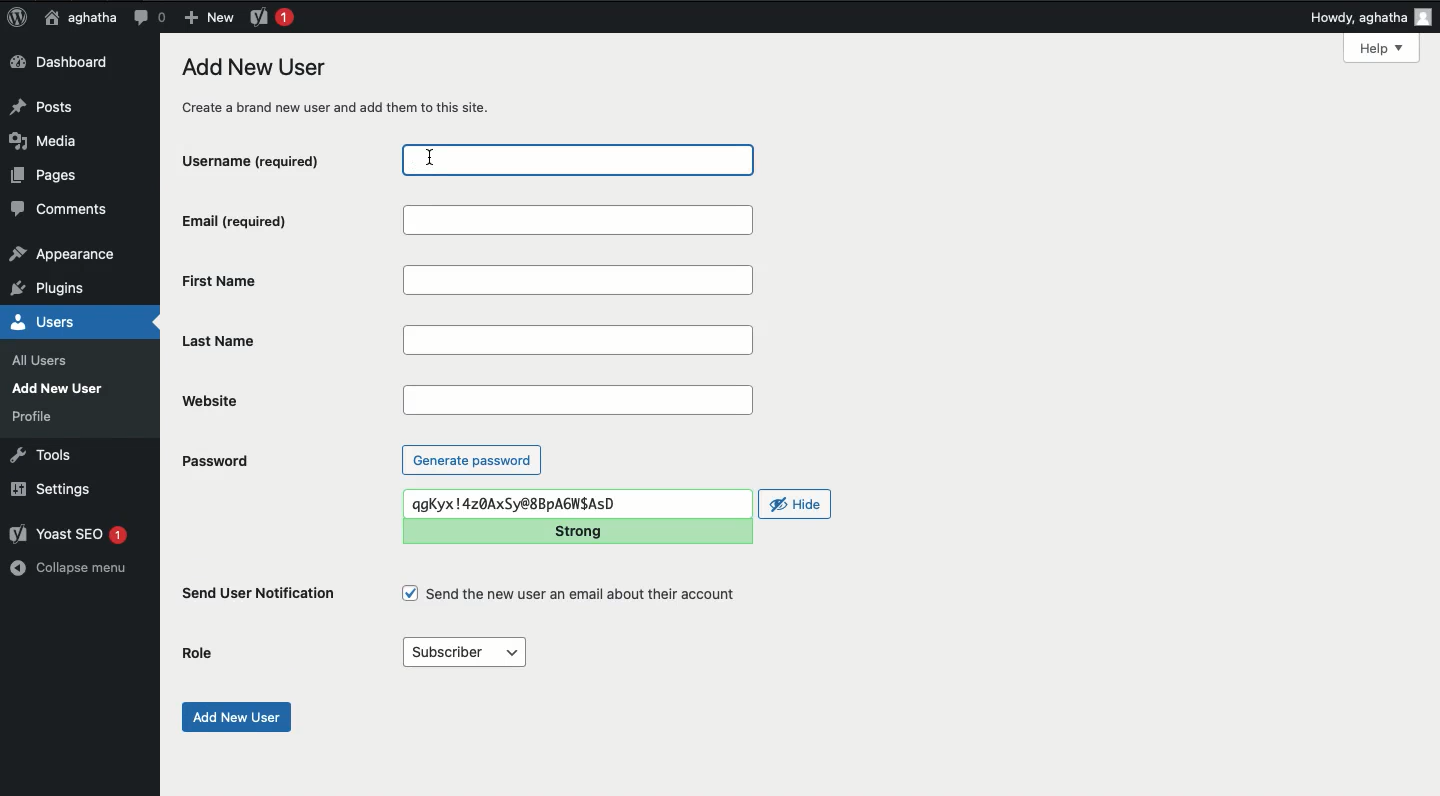 The width and height of the screenshot is (1440, 796). Describe the element at coordinates (287, 222) in the screenshot. I see `Email (required)` at that location.